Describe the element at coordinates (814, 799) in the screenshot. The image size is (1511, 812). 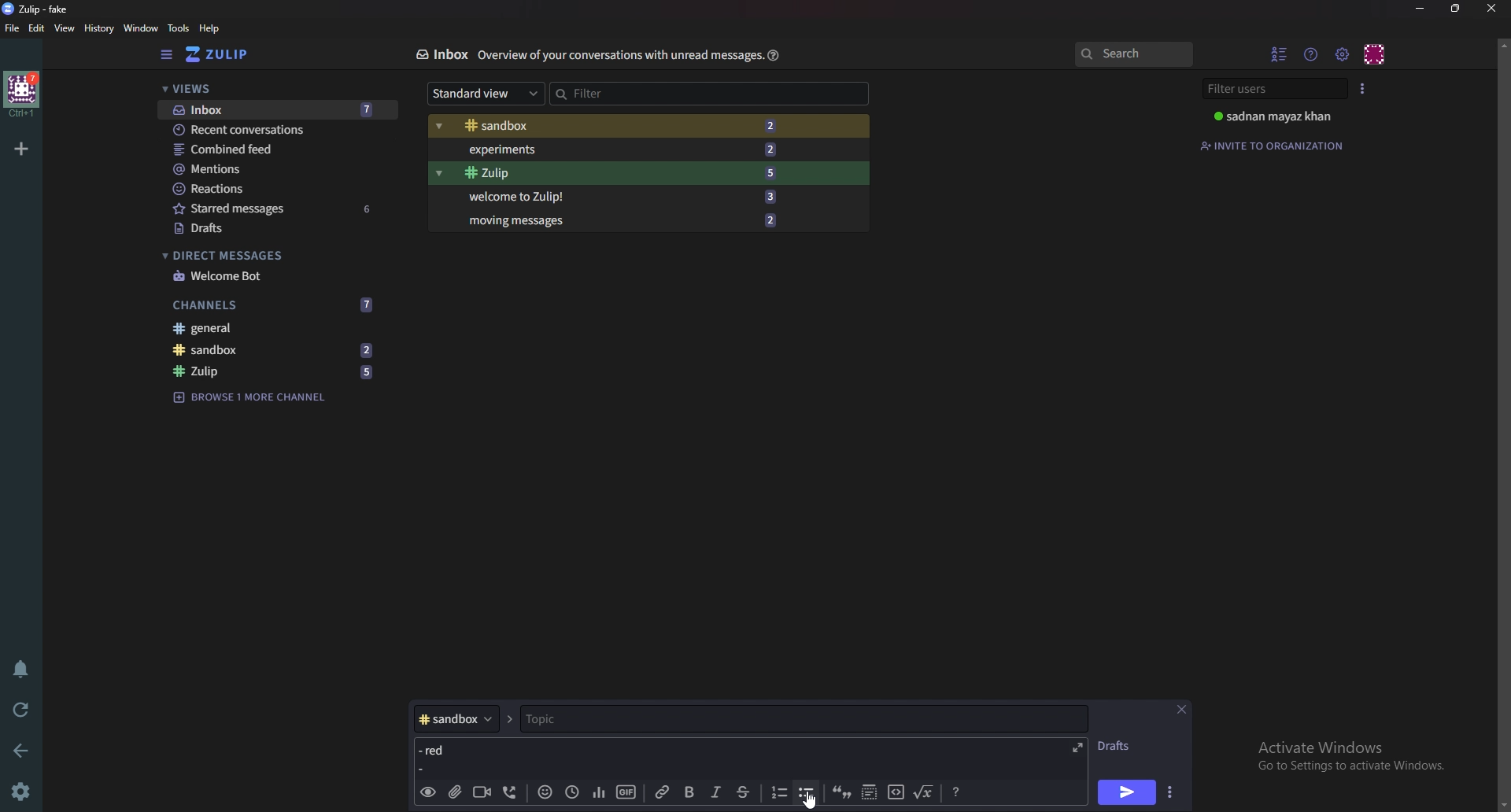
I see `Cursor` at that location.